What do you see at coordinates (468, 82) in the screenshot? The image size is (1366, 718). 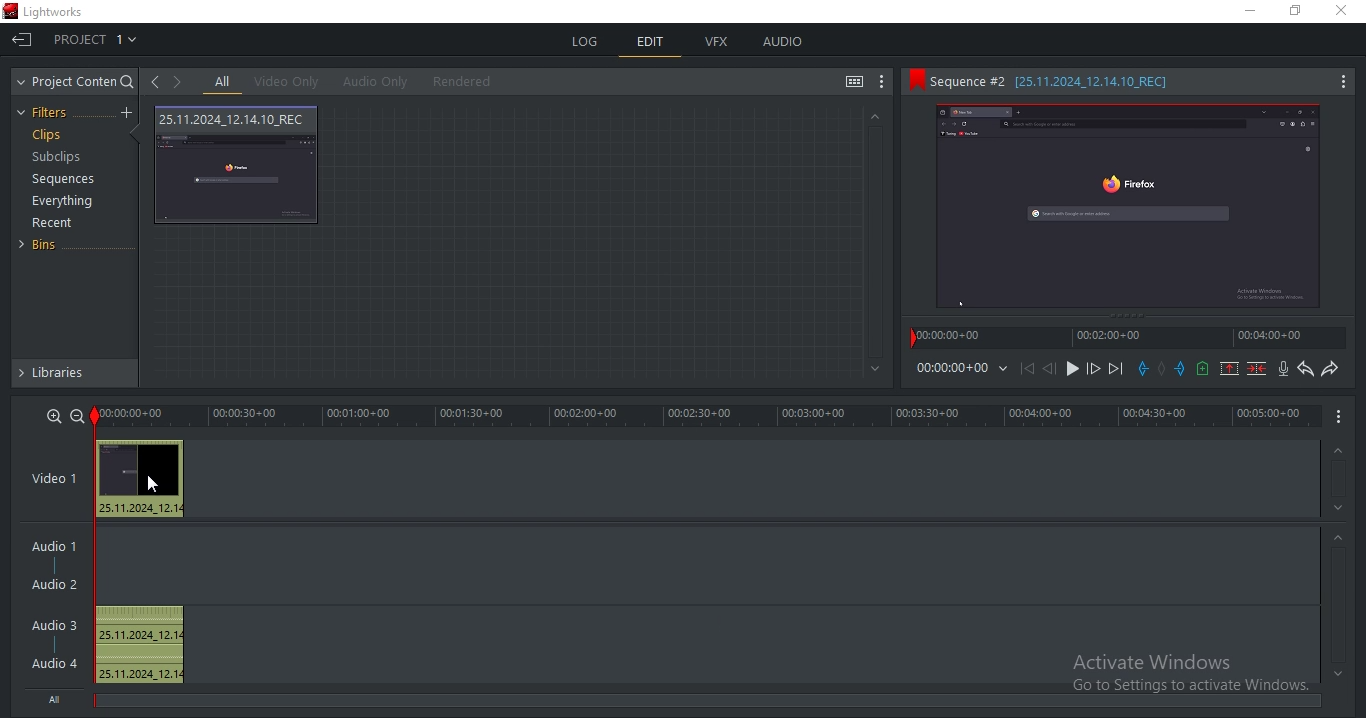 I see `rendered ` at bounding box center [468, 82].